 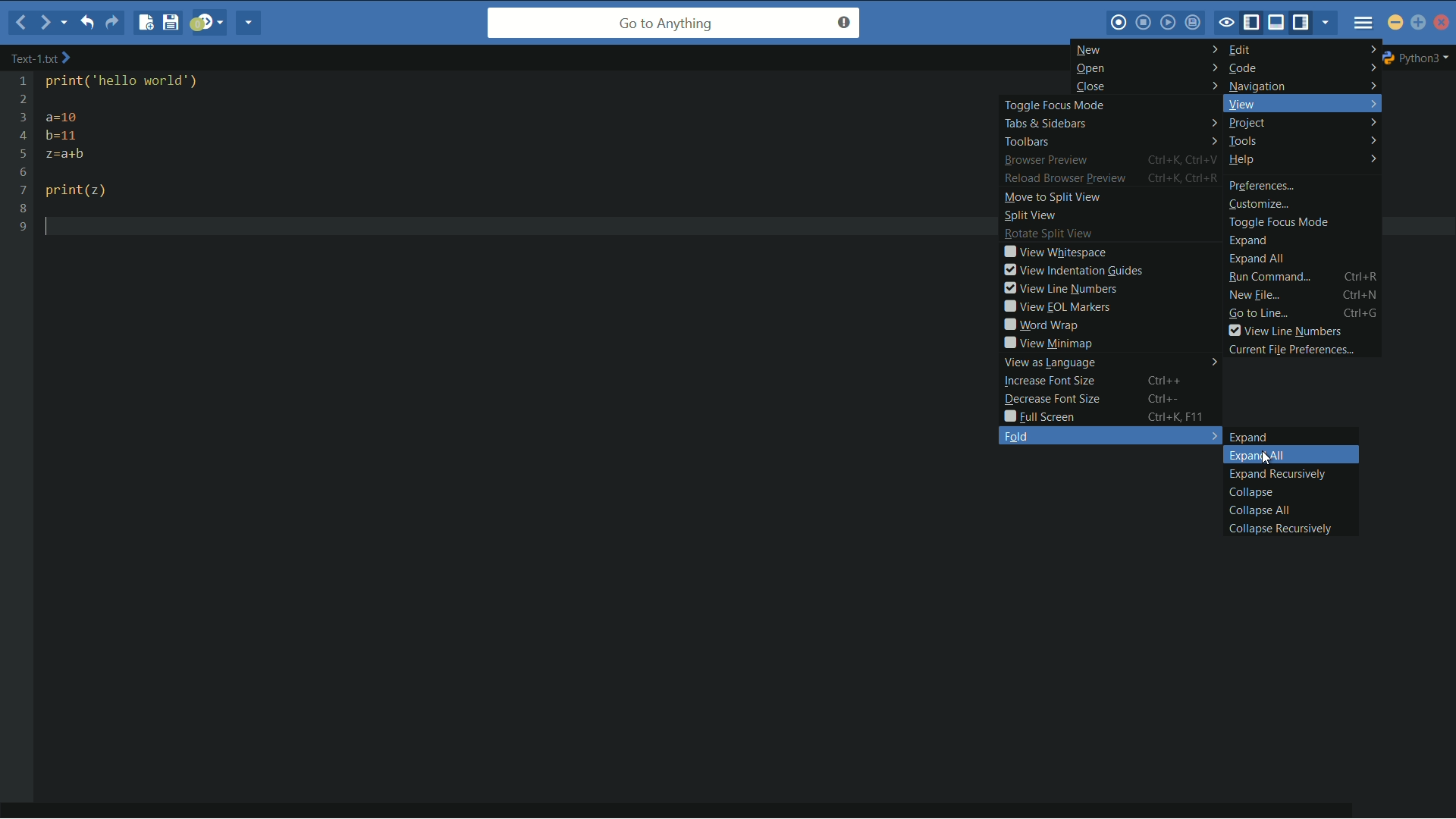 I want to click on view, so click(x=1300, y=105).